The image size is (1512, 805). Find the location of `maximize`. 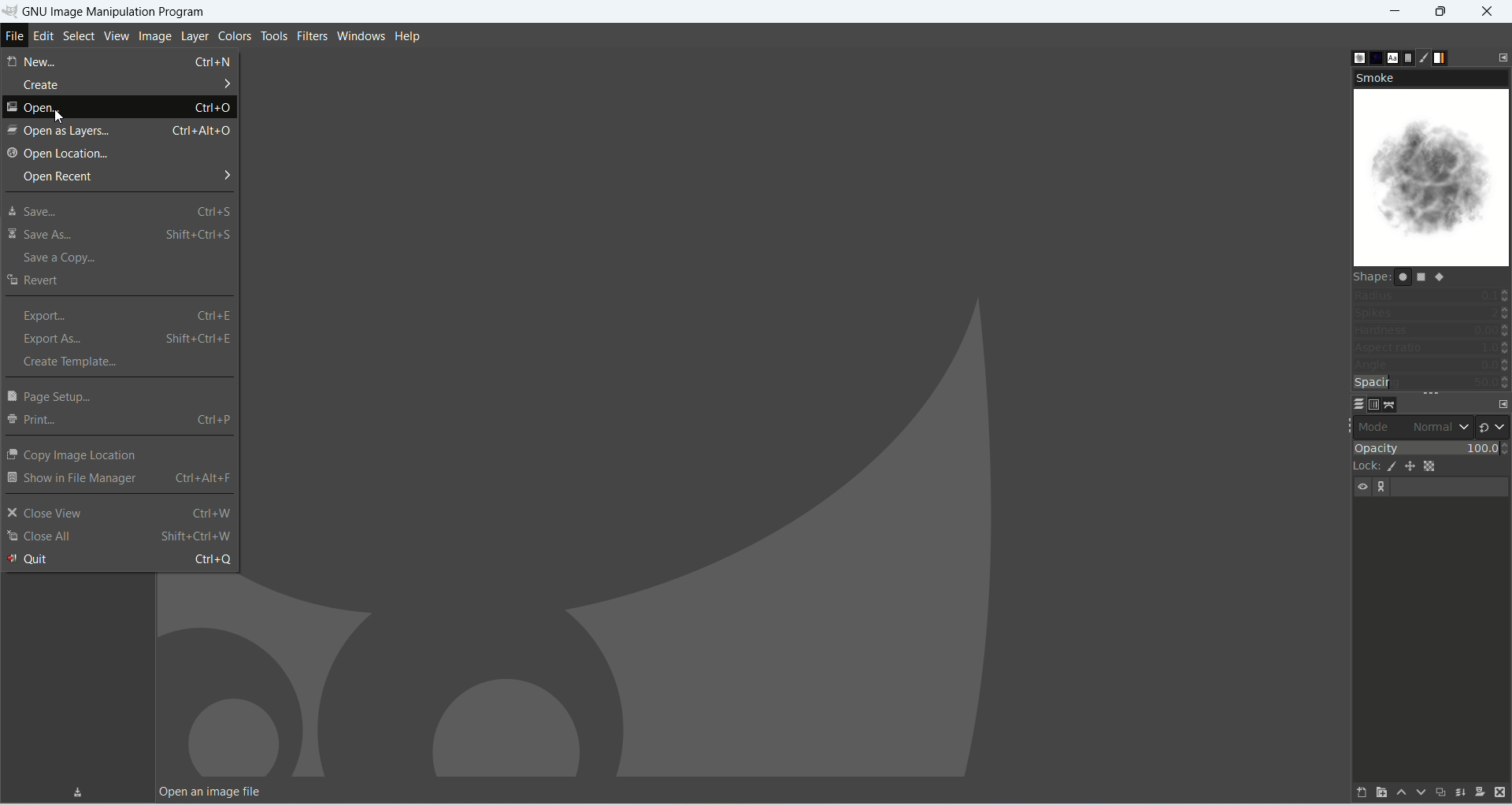

maximize is located at coordinates (1440, 11).